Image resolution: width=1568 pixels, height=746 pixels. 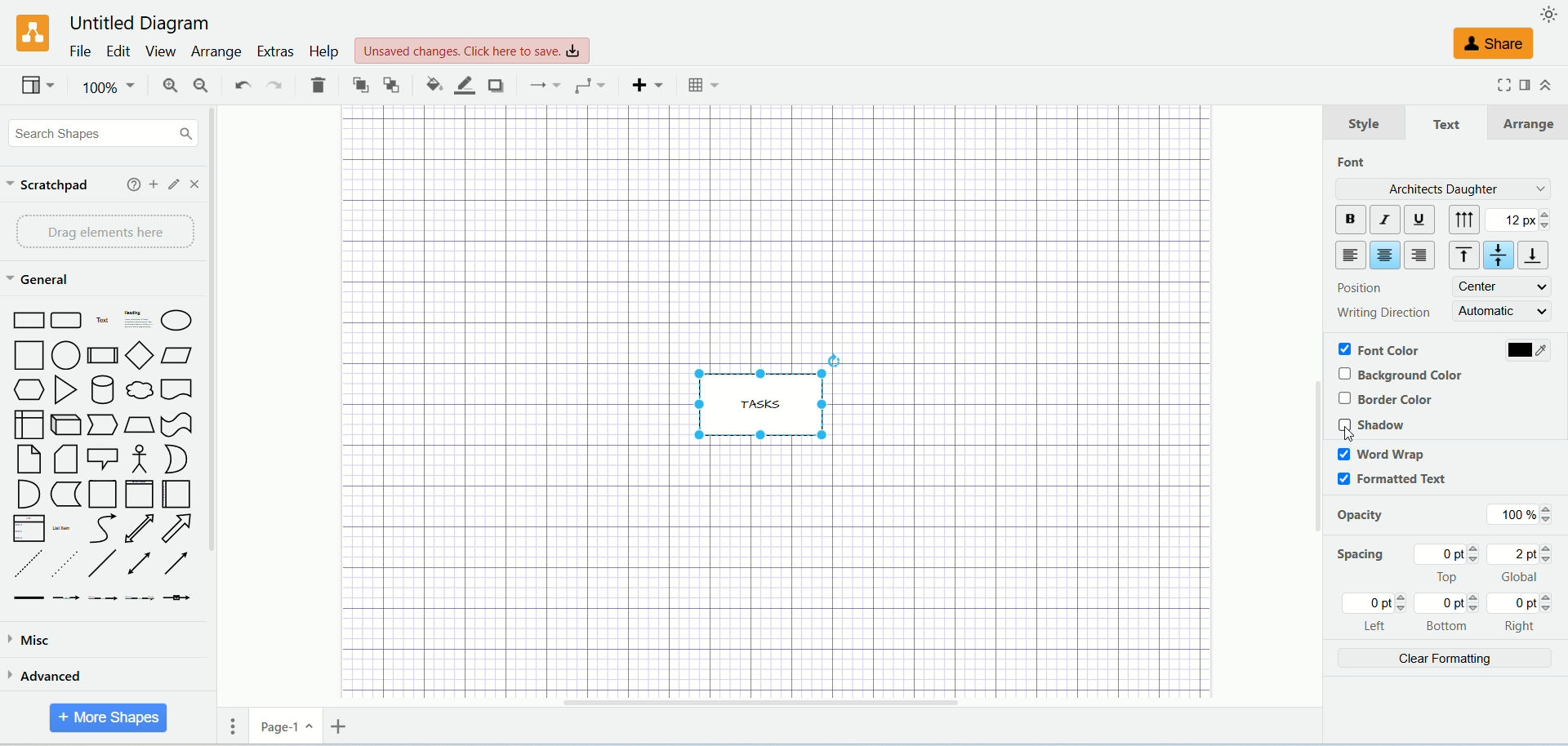 I want to click on automatic, so click(x=1503, y=310).